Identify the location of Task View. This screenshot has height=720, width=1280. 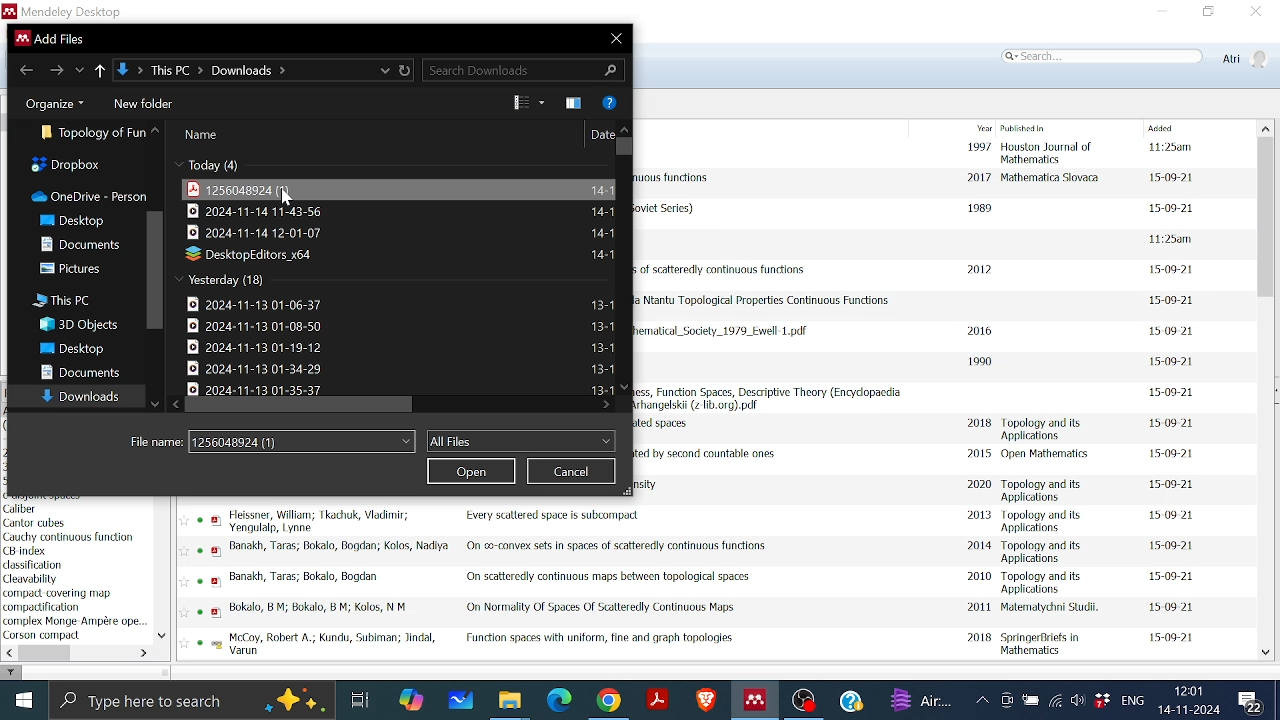
(360, 700).